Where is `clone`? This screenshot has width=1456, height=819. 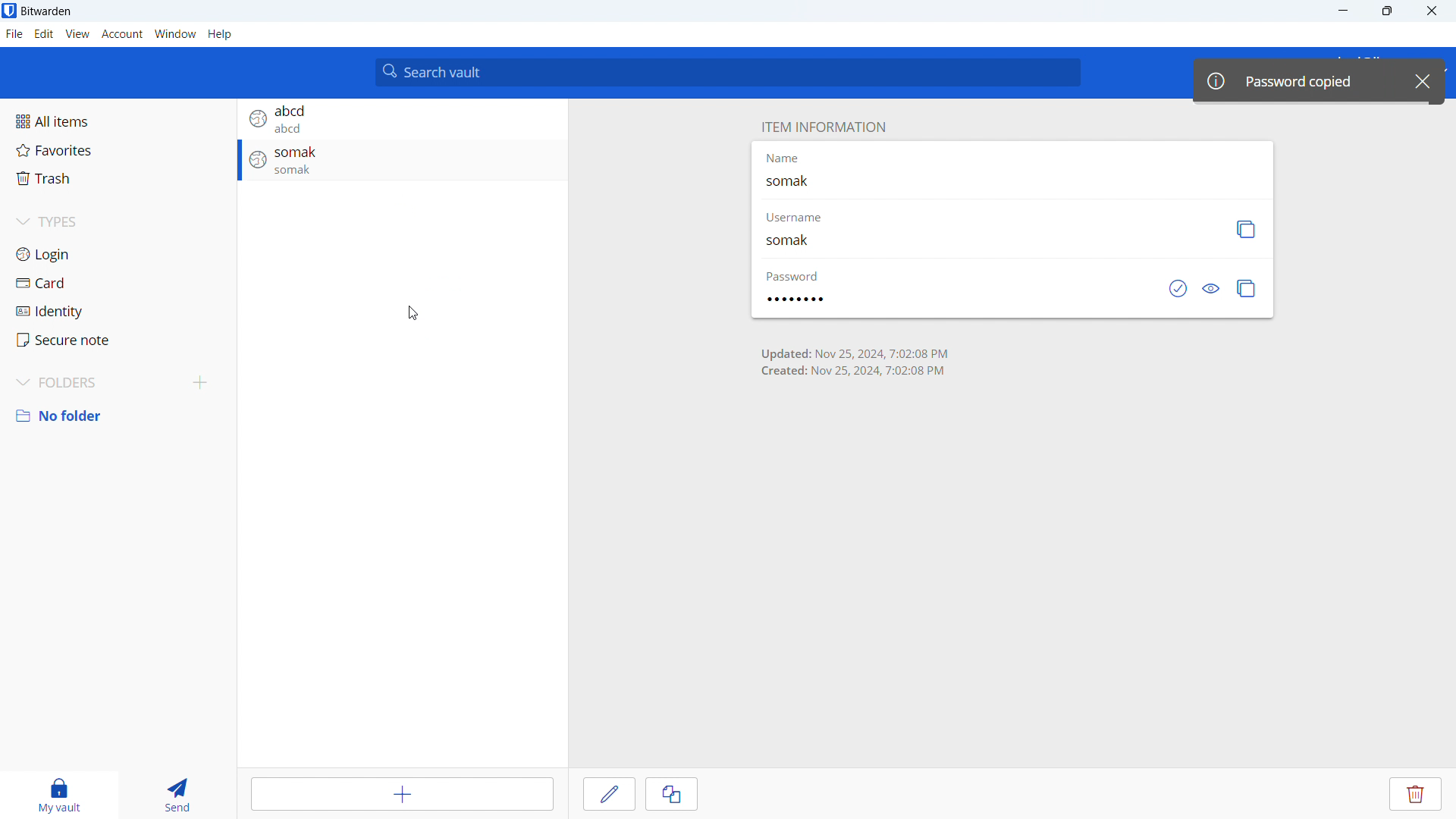
clone is located at coordinates (672, 794).